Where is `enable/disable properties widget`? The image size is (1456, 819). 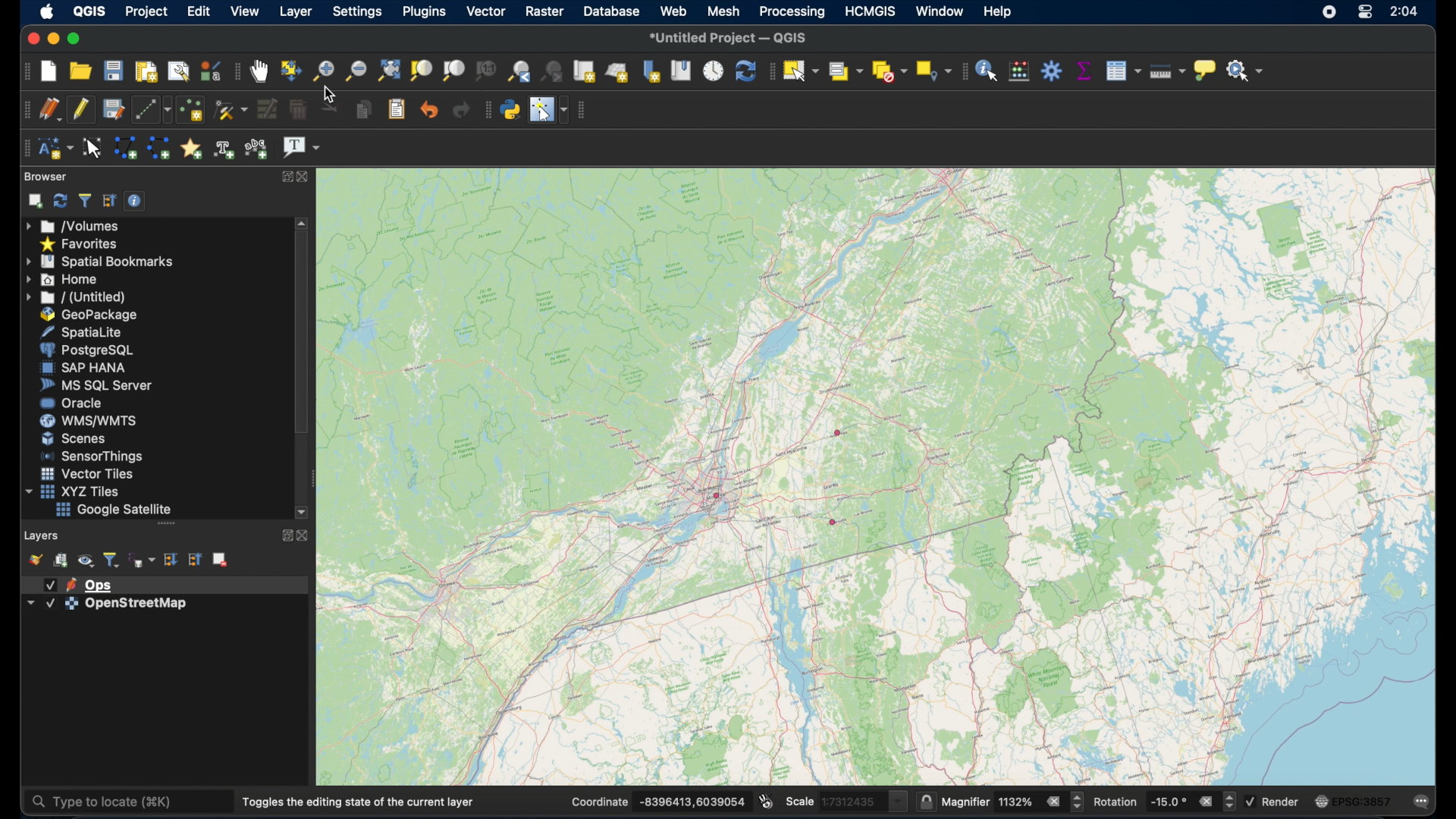
enable/disable properties widget is located at coordinates (135, 200).